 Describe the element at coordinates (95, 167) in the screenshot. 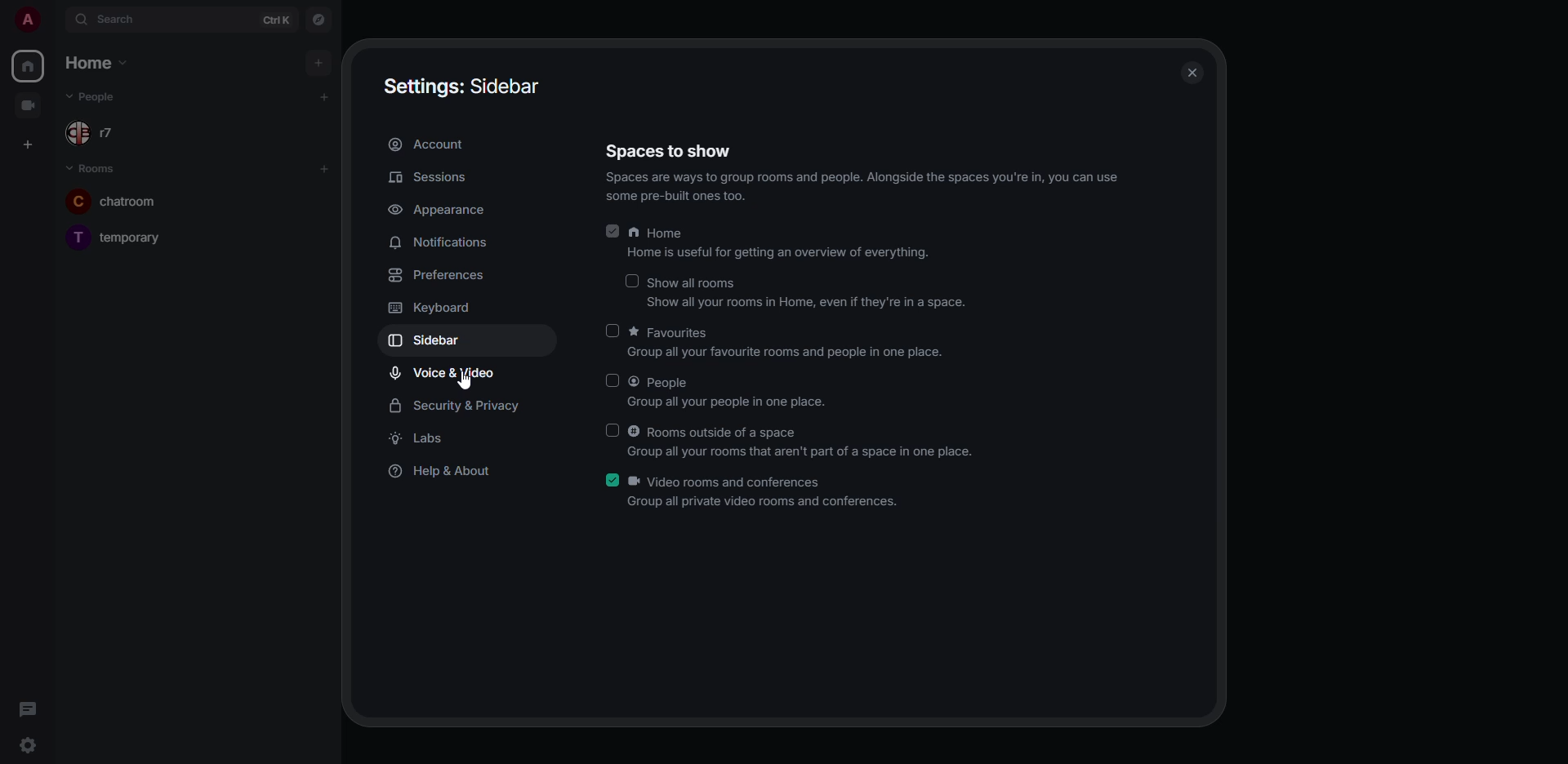

I see `rooms` at that location.